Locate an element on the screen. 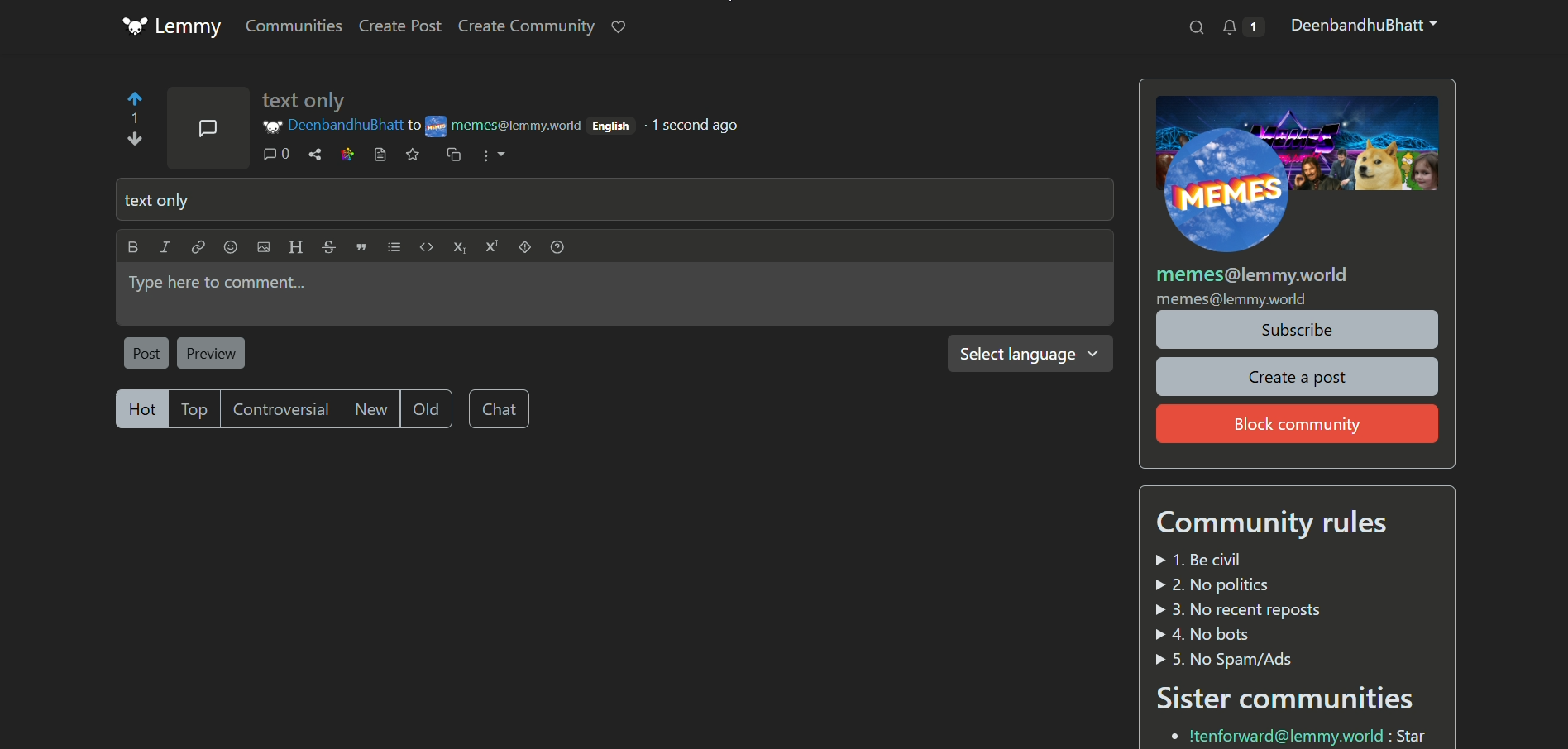  Controversial is located at coordinates (282, 409).